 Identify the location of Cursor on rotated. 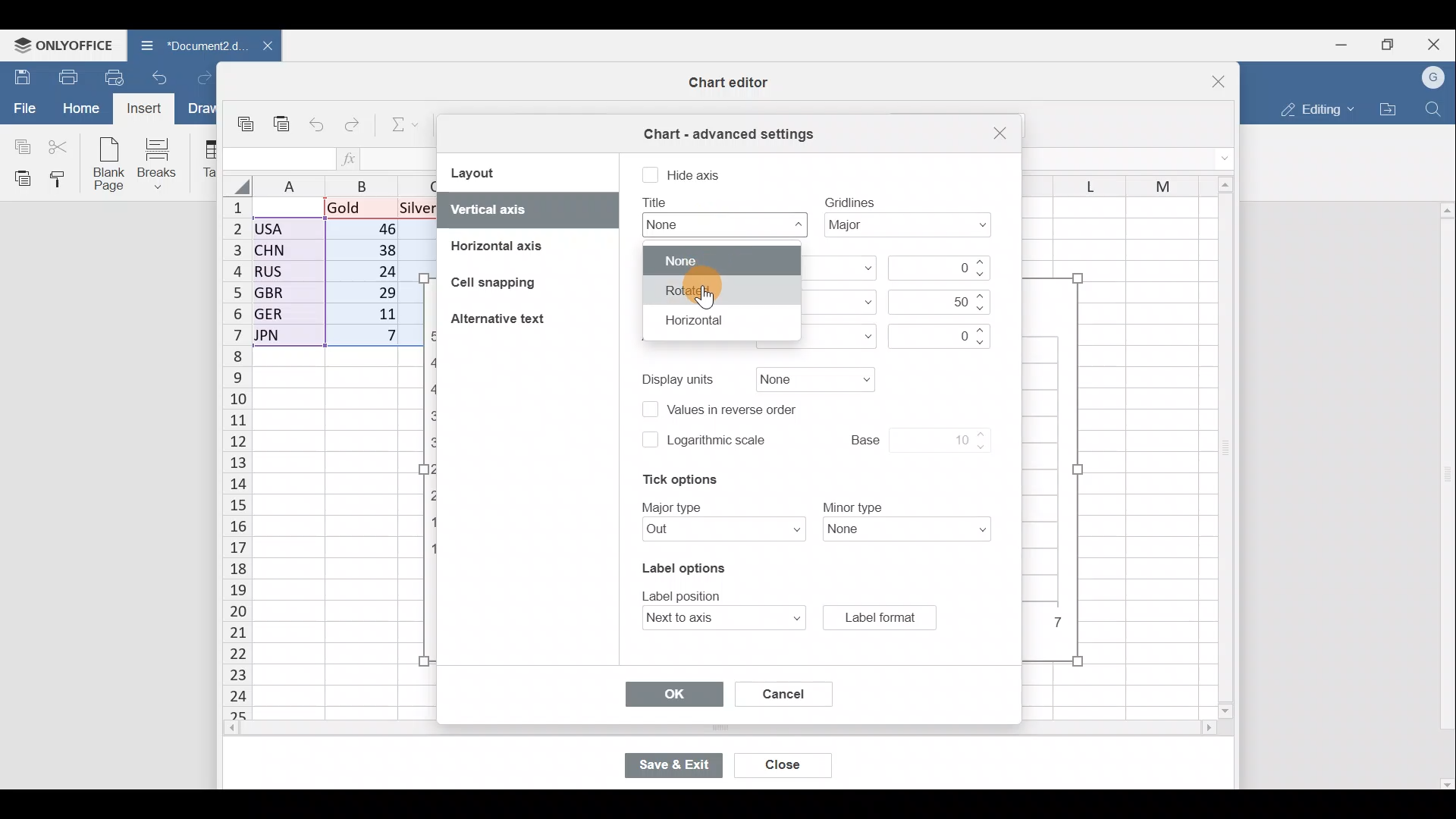
(717, 293).